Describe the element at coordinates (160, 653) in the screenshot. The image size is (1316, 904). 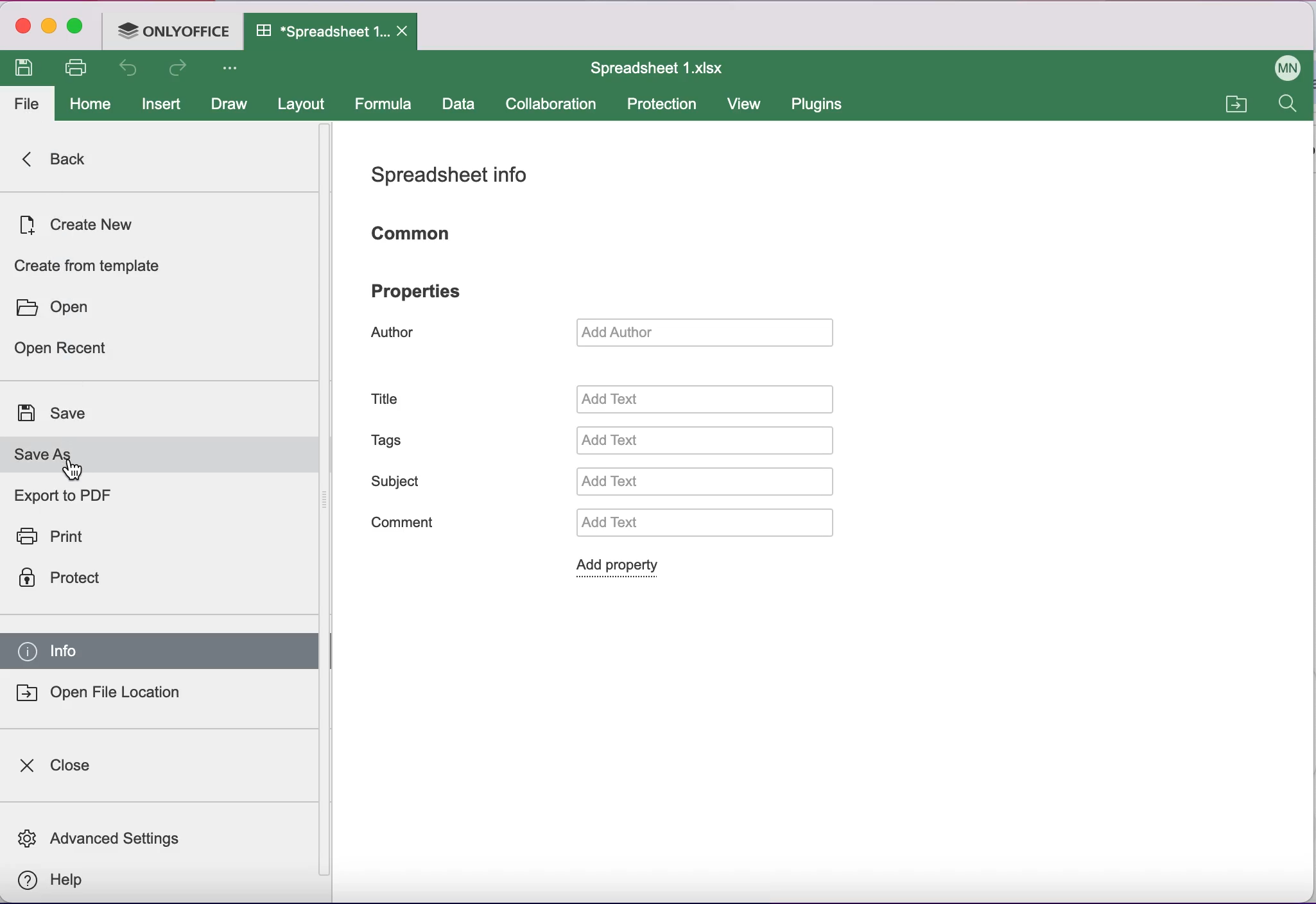
I see `info` at that location.